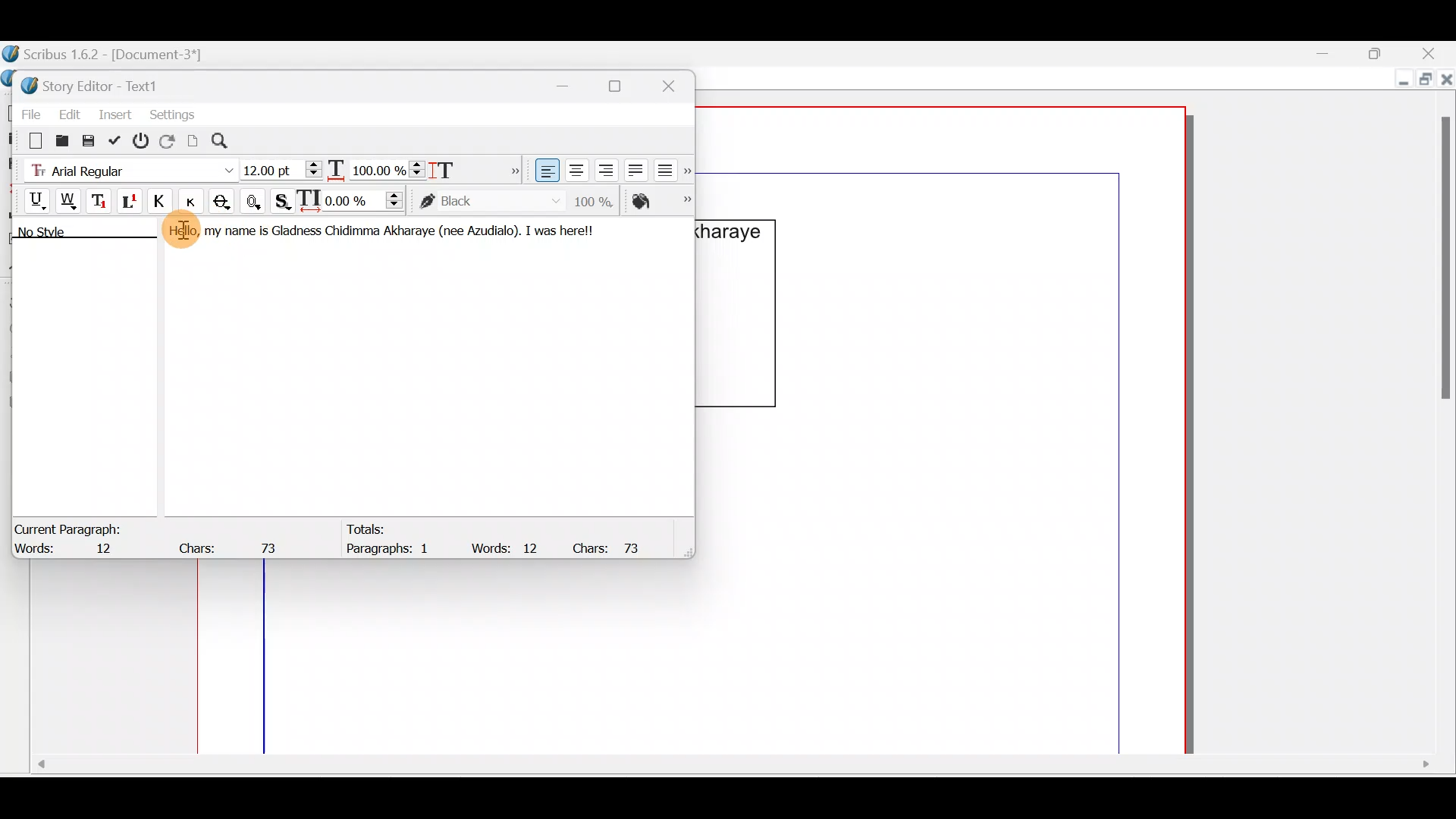  I want to click on Superscript, so click(131, 203).